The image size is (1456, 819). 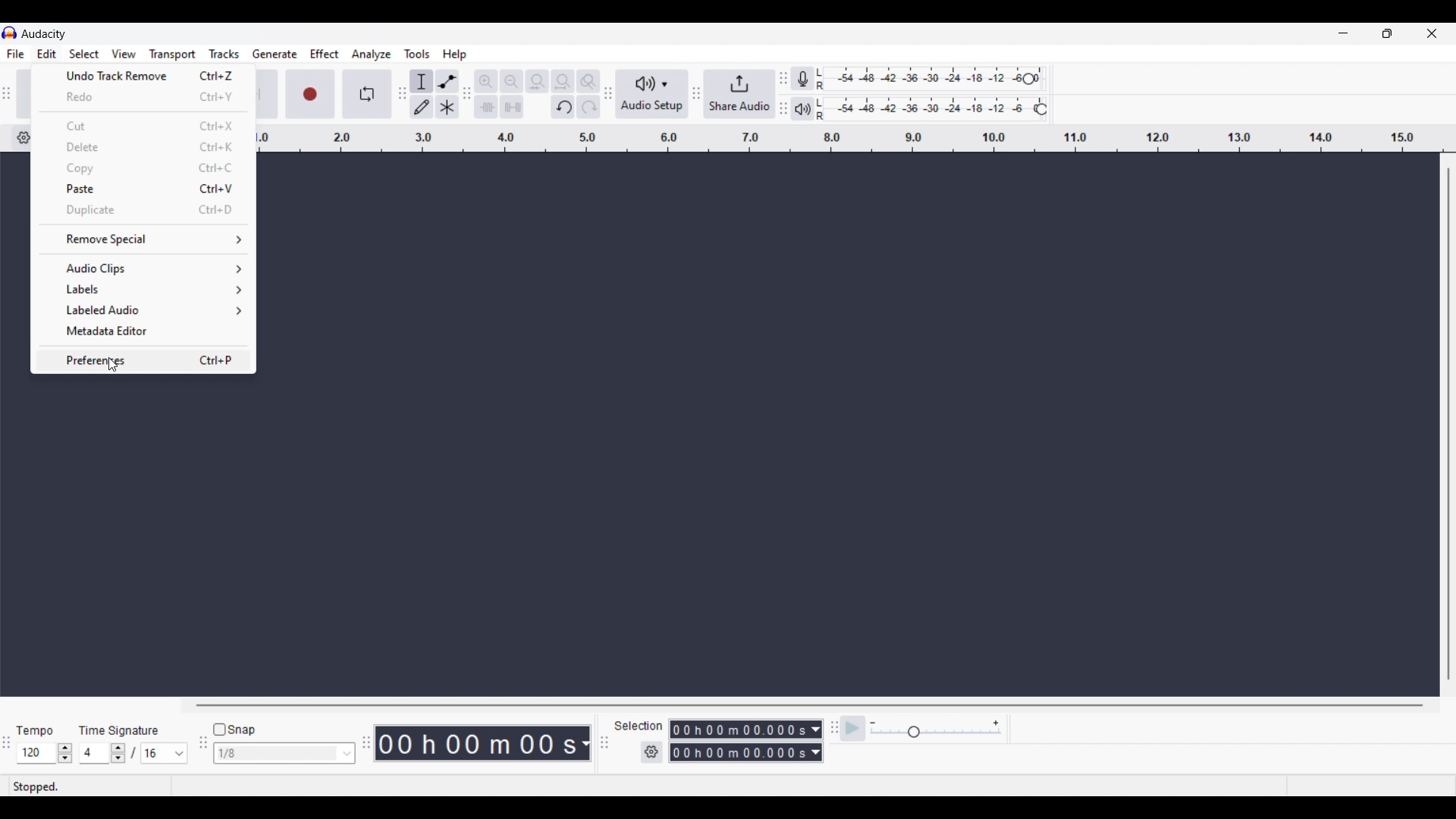 I want to click on Metric options to record duration, so click(x=814, y=742).